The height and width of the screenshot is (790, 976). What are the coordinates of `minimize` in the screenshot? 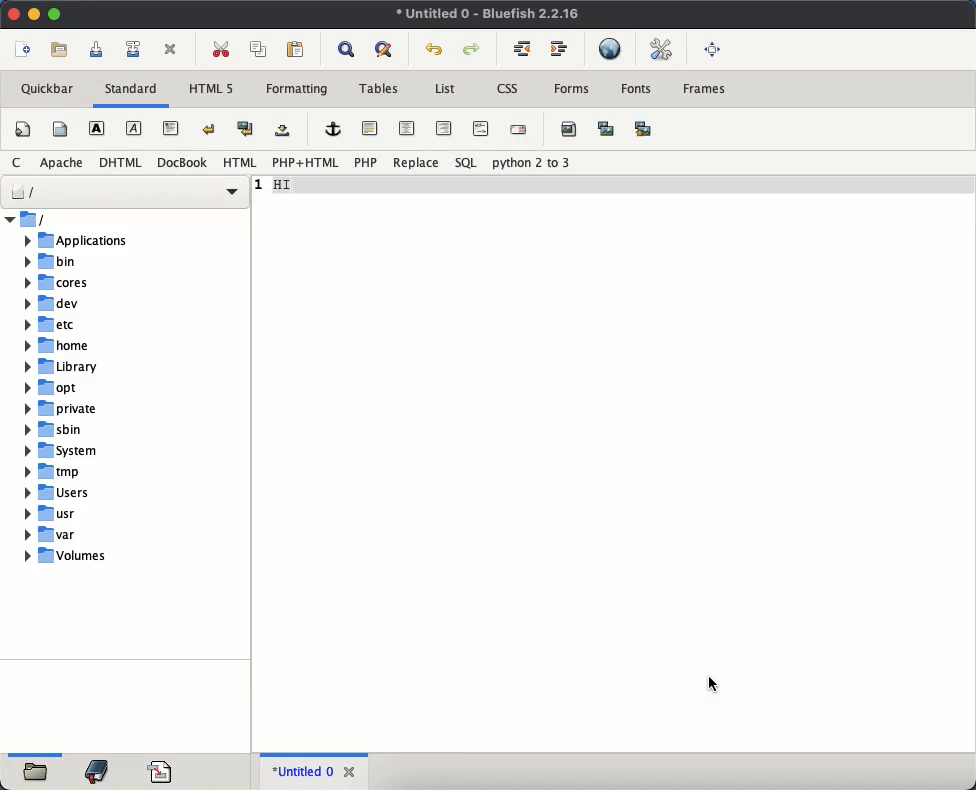 It's located at (35, 14).